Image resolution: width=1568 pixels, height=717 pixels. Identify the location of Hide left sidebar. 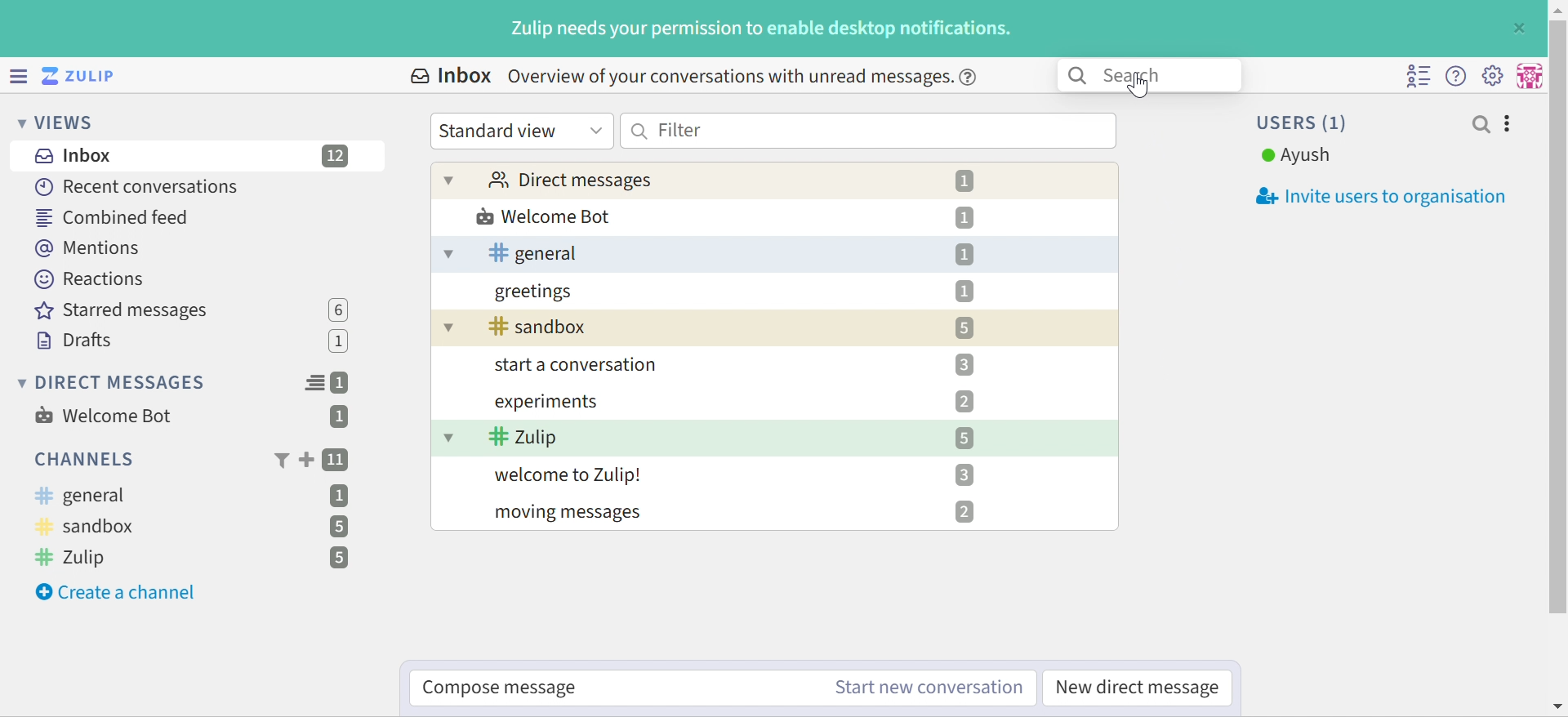
(16, 74).